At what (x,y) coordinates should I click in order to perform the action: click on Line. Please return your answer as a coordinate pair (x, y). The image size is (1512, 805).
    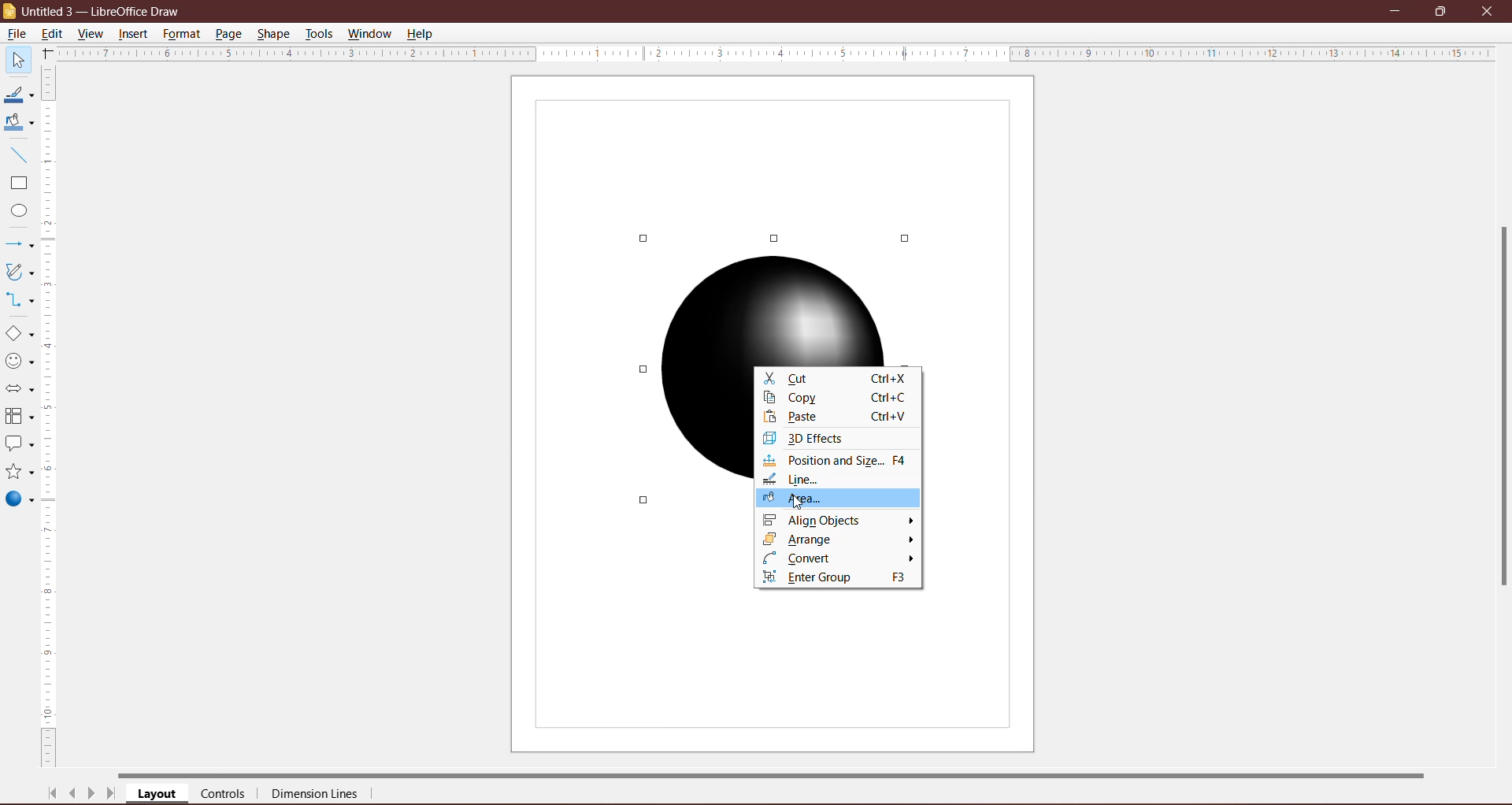
    Looking at the image, I should click on (809, 481).